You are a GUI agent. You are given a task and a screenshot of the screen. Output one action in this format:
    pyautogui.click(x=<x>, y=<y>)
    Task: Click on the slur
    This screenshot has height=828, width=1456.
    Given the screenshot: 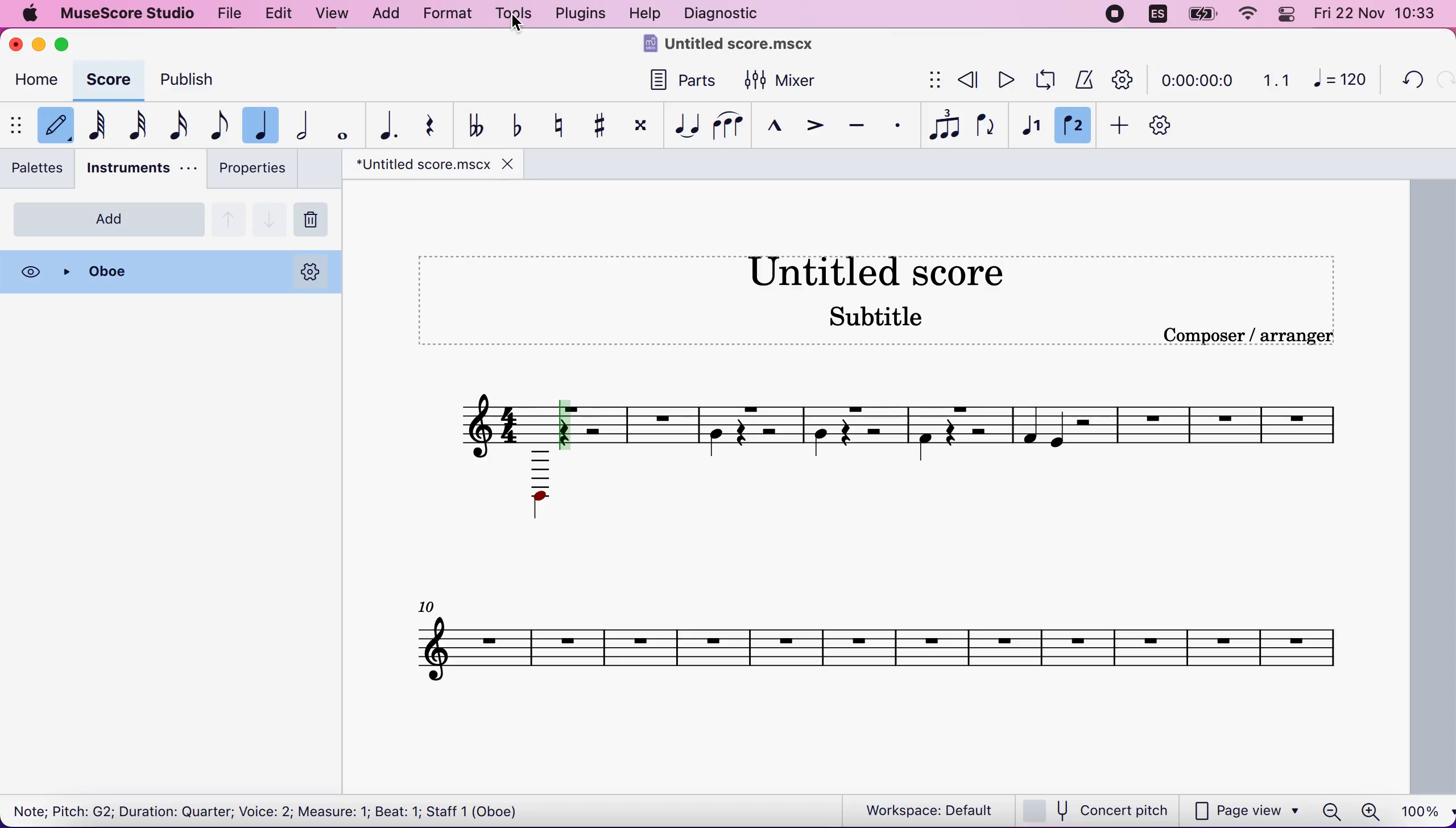 What is the action you would take?
    pyautogui.click(x=734, y=126)
    